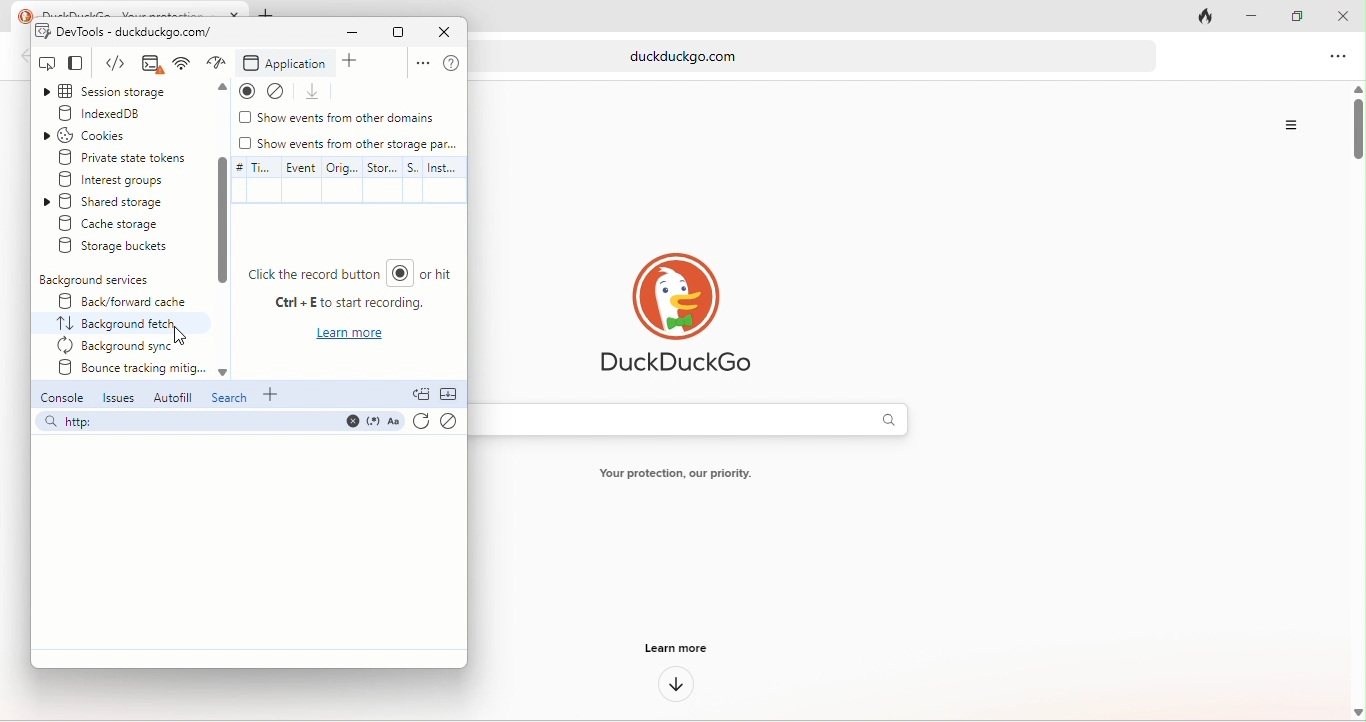 This screenshot has height=722, width=1366. Describe the element at coordinates (686, 475) in the screenshot. I see `text` at that location.